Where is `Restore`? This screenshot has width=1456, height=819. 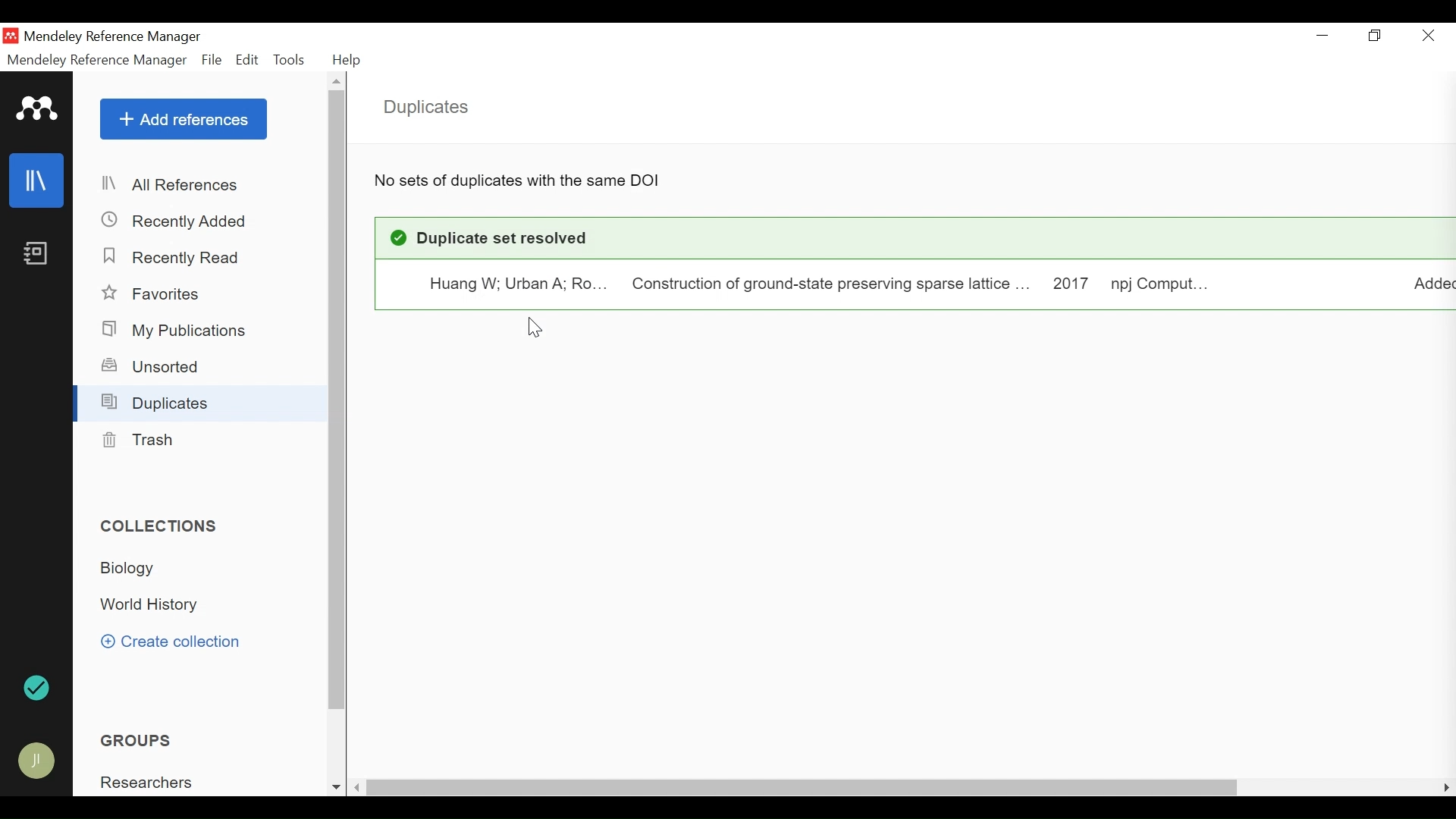 Restore is located at coordinates (1378, 36).